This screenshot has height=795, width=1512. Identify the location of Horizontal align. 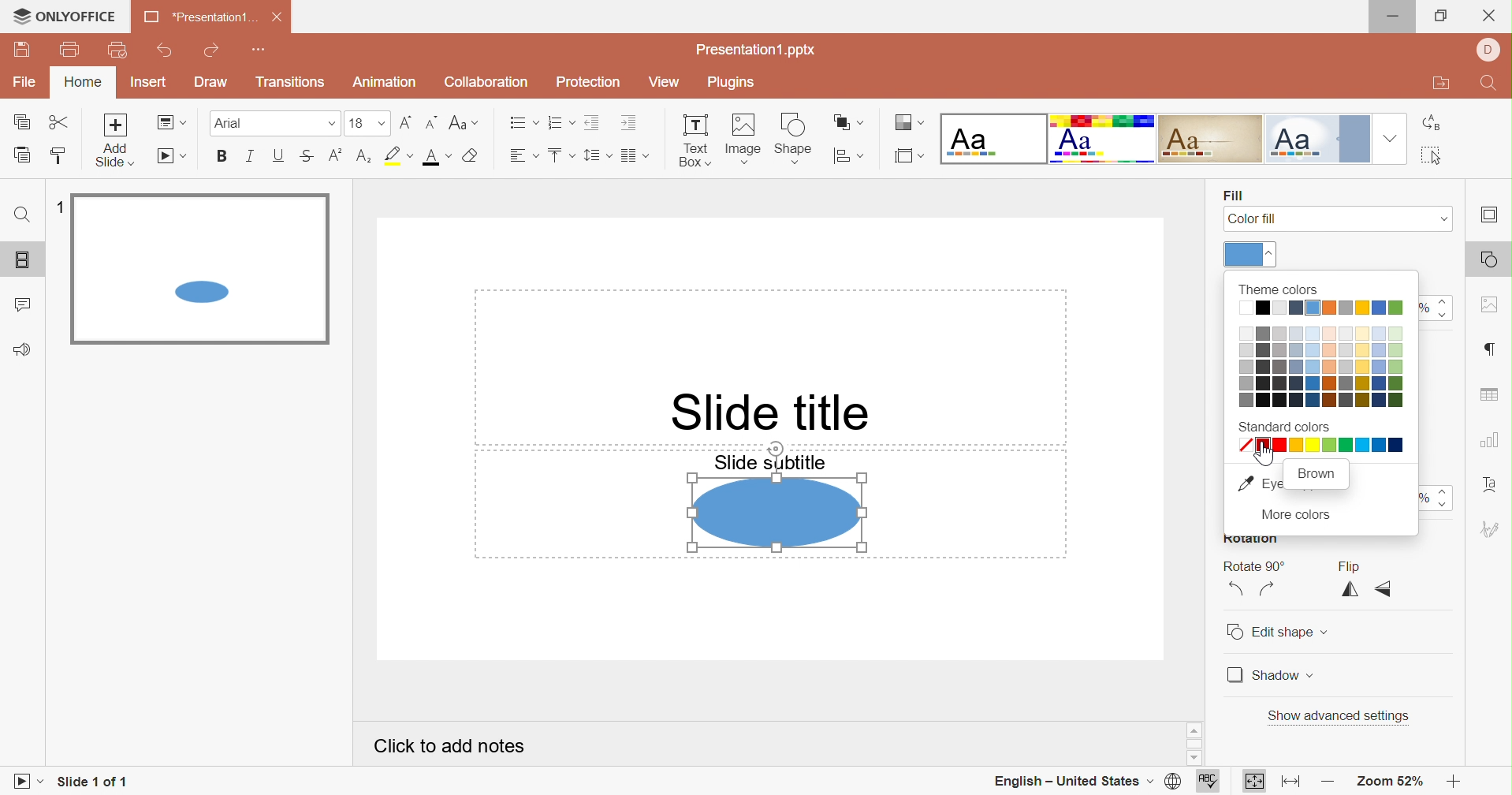
(521, 156).